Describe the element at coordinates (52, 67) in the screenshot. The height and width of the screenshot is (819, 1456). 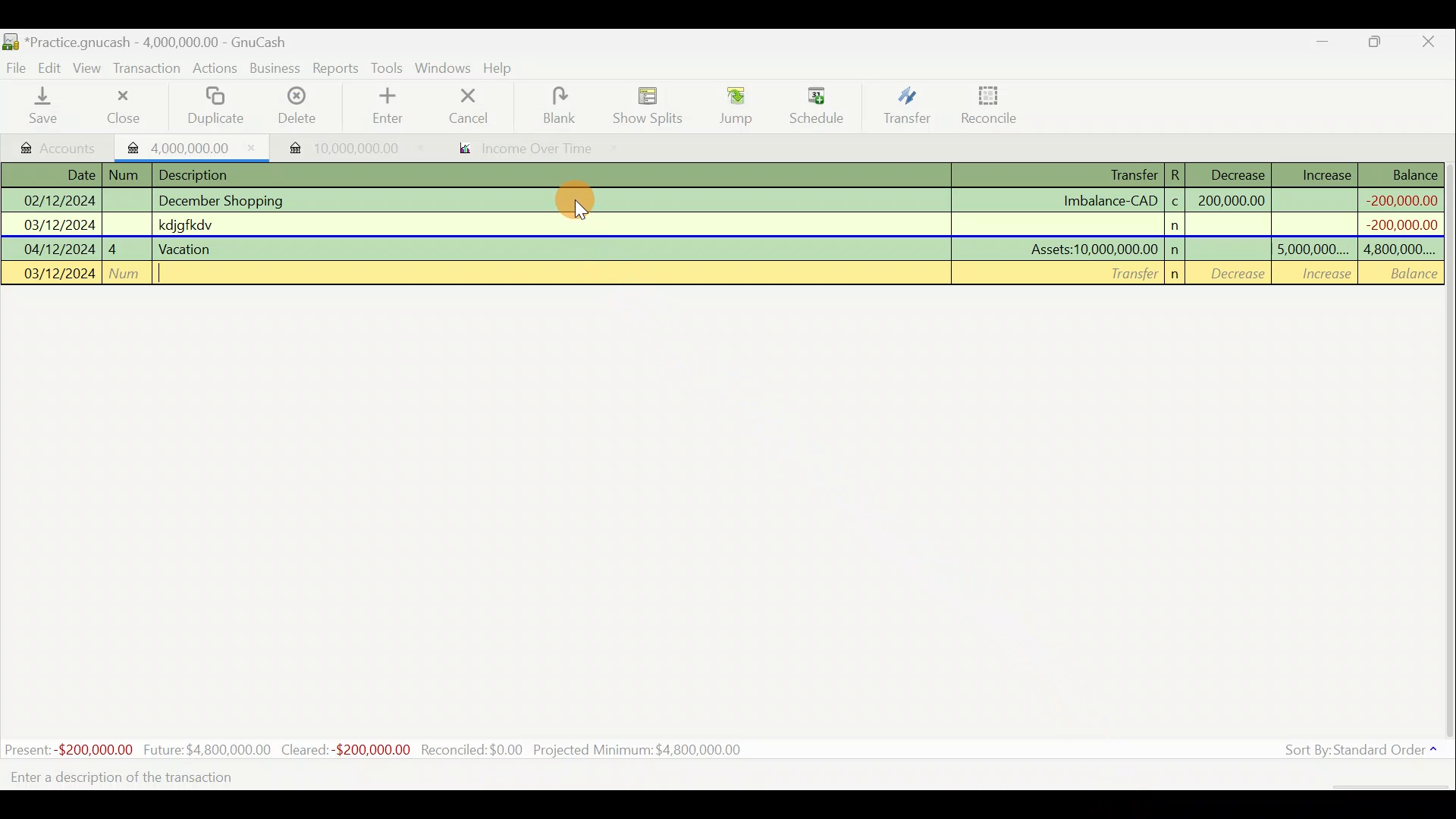
I see `Edit` at that location.